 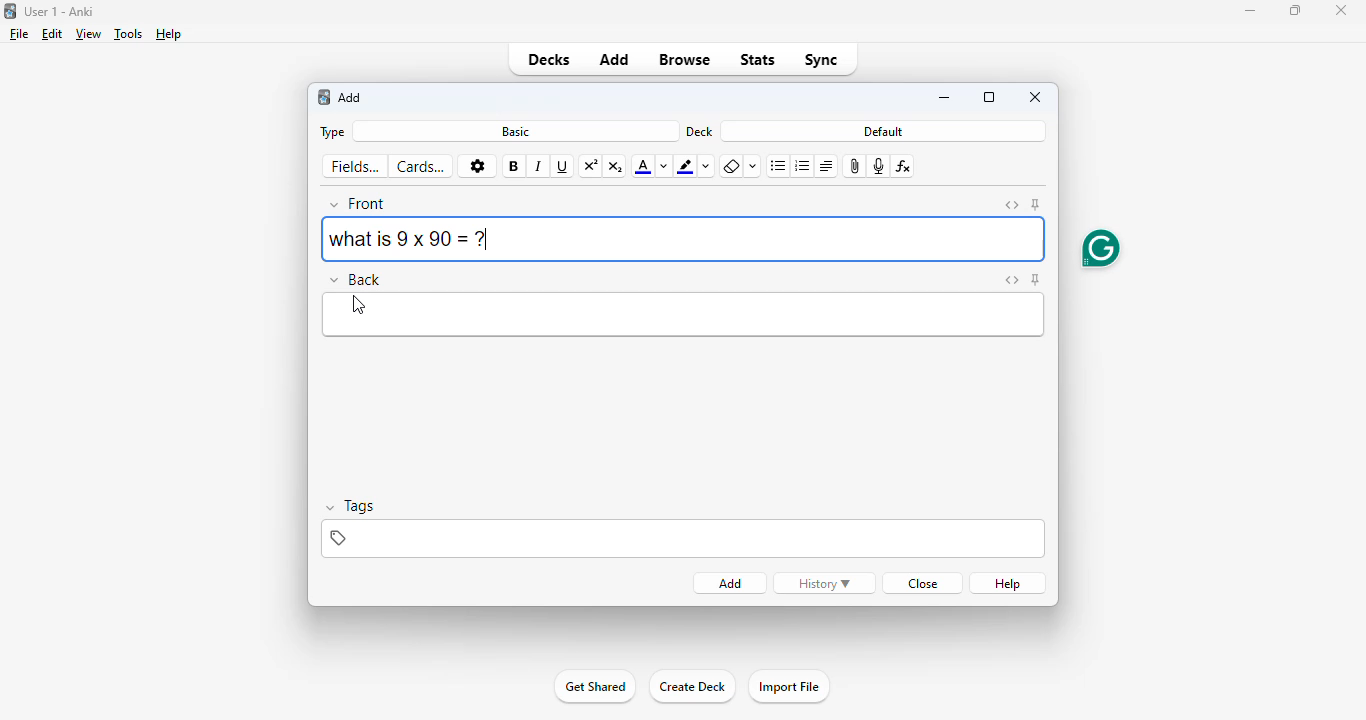 I want to click on what is 9 x 90 = ?, so click(x=680, y=238).